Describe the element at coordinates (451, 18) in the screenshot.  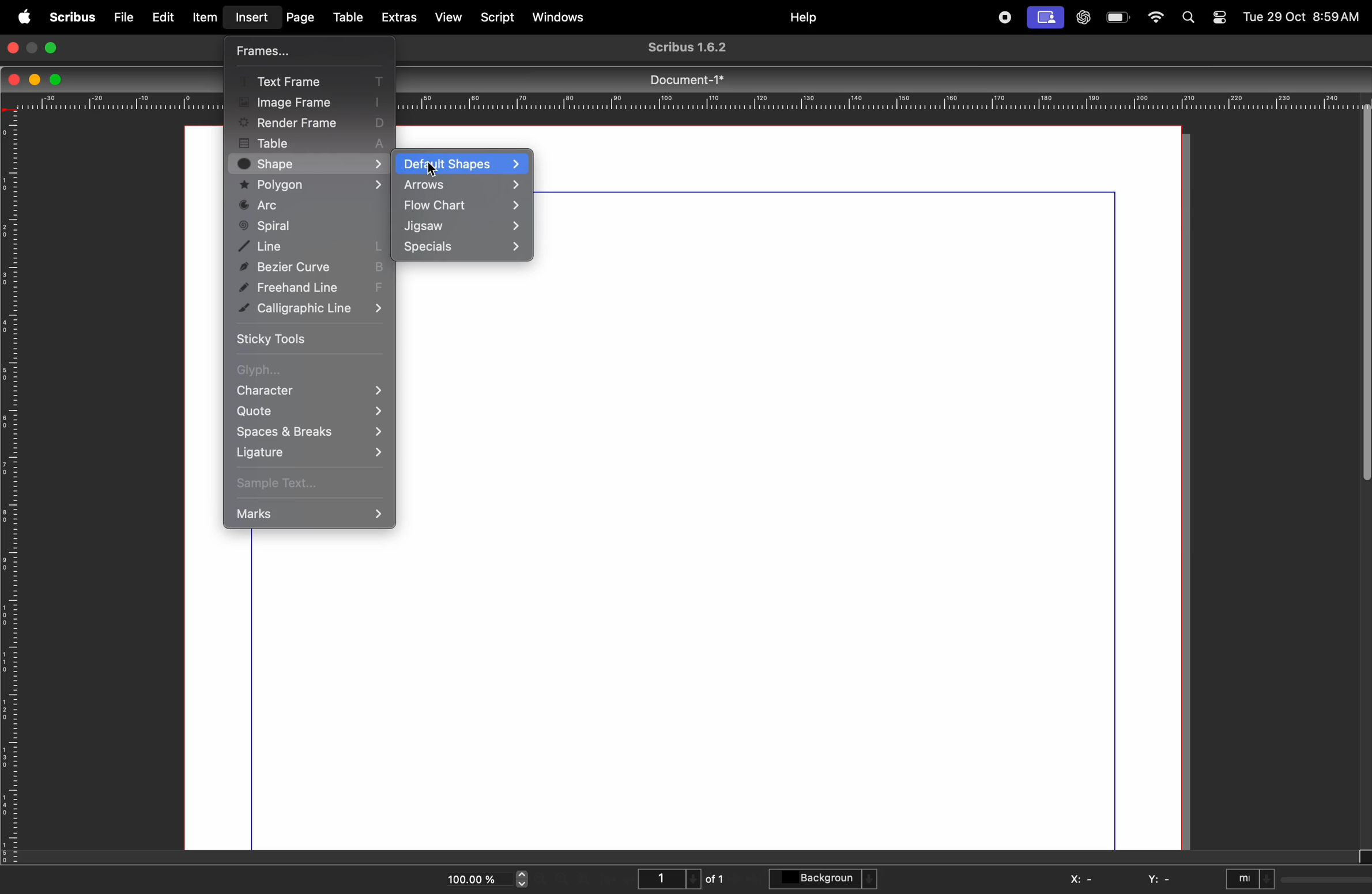
I see `view` at that location.